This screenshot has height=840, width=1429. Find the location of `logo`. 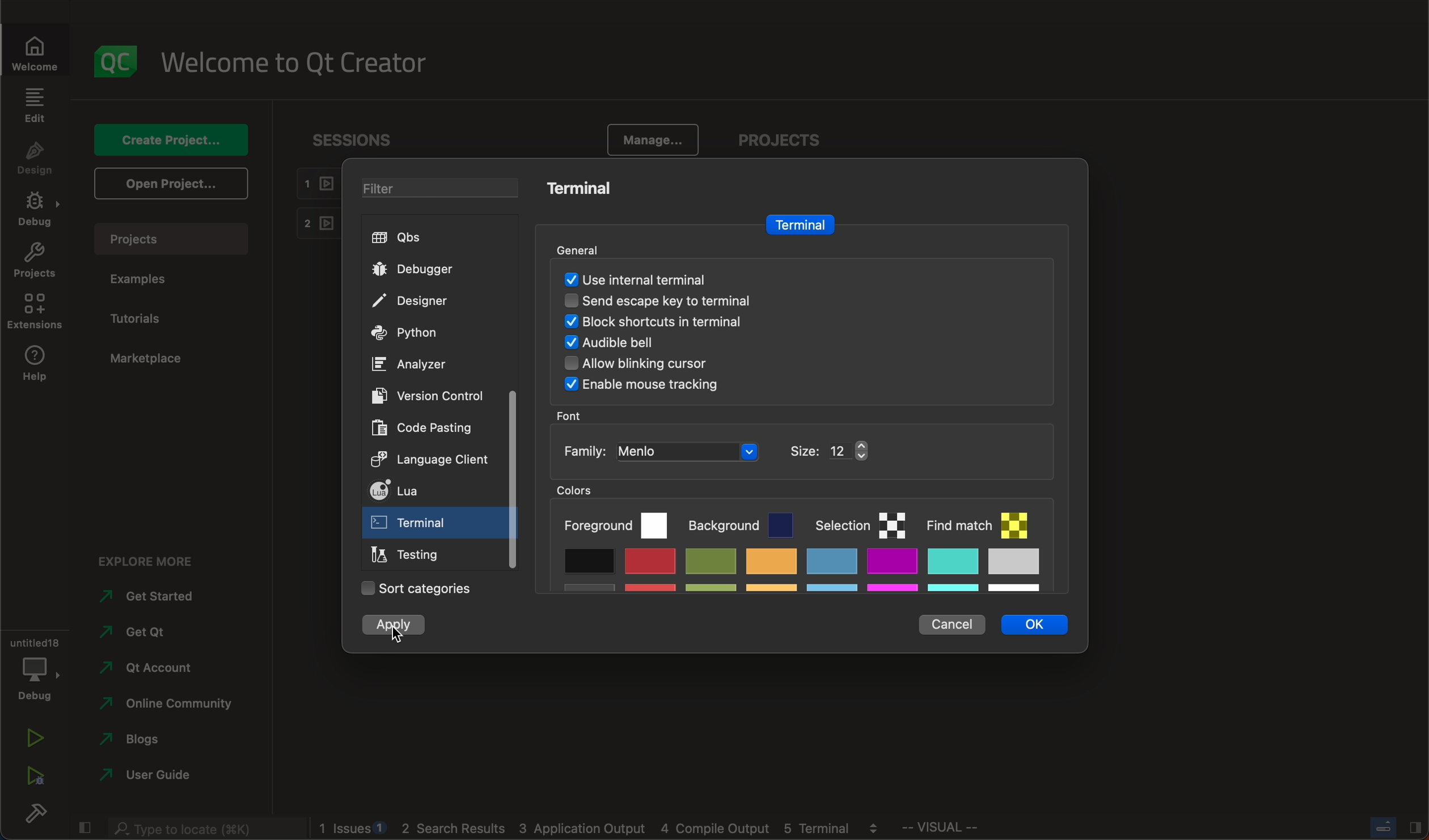

logo is located at coordinates (119, 60).